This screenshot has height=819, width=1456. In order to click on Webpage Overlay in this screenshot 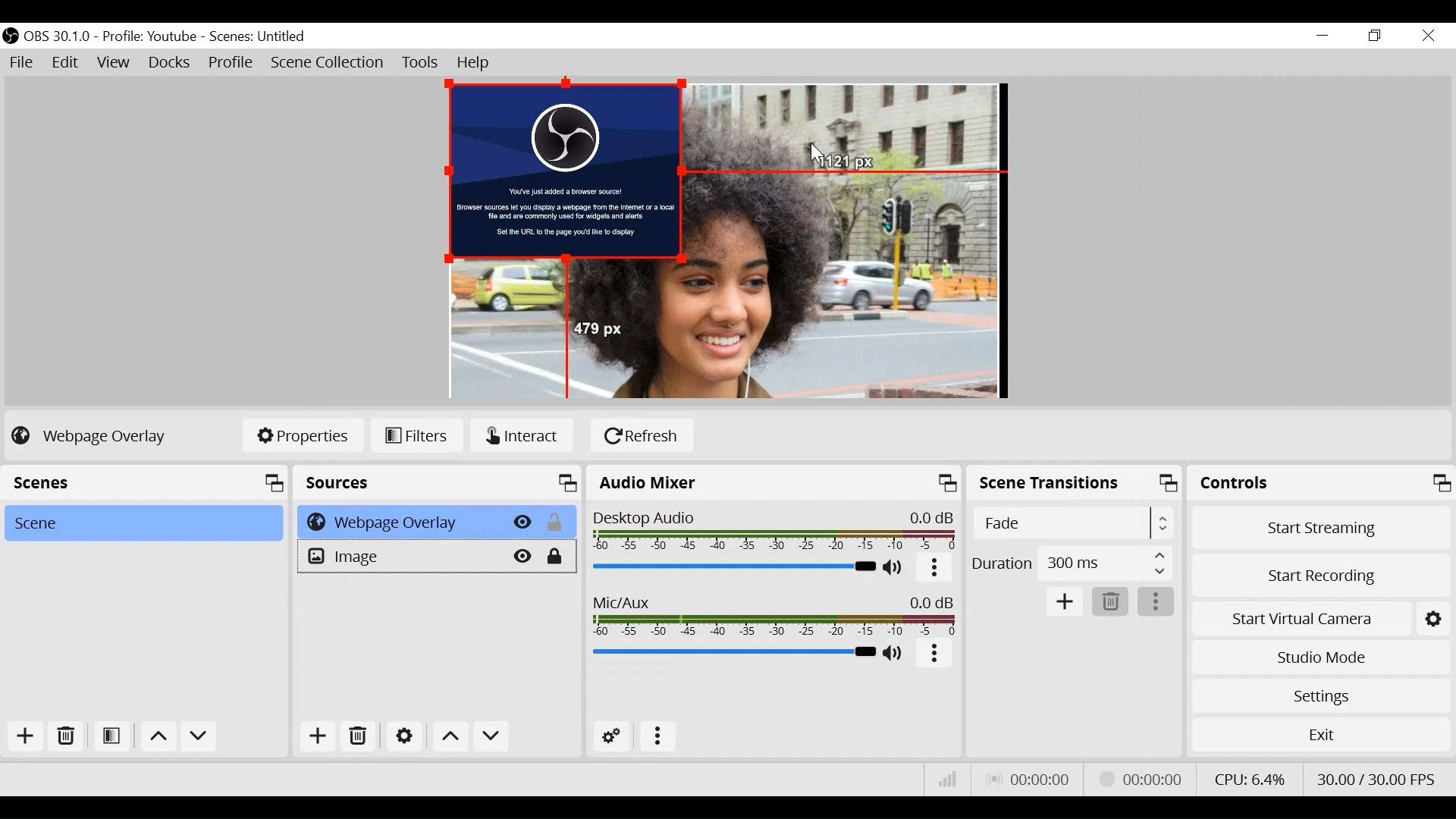, I will do `click(563, 168)`.